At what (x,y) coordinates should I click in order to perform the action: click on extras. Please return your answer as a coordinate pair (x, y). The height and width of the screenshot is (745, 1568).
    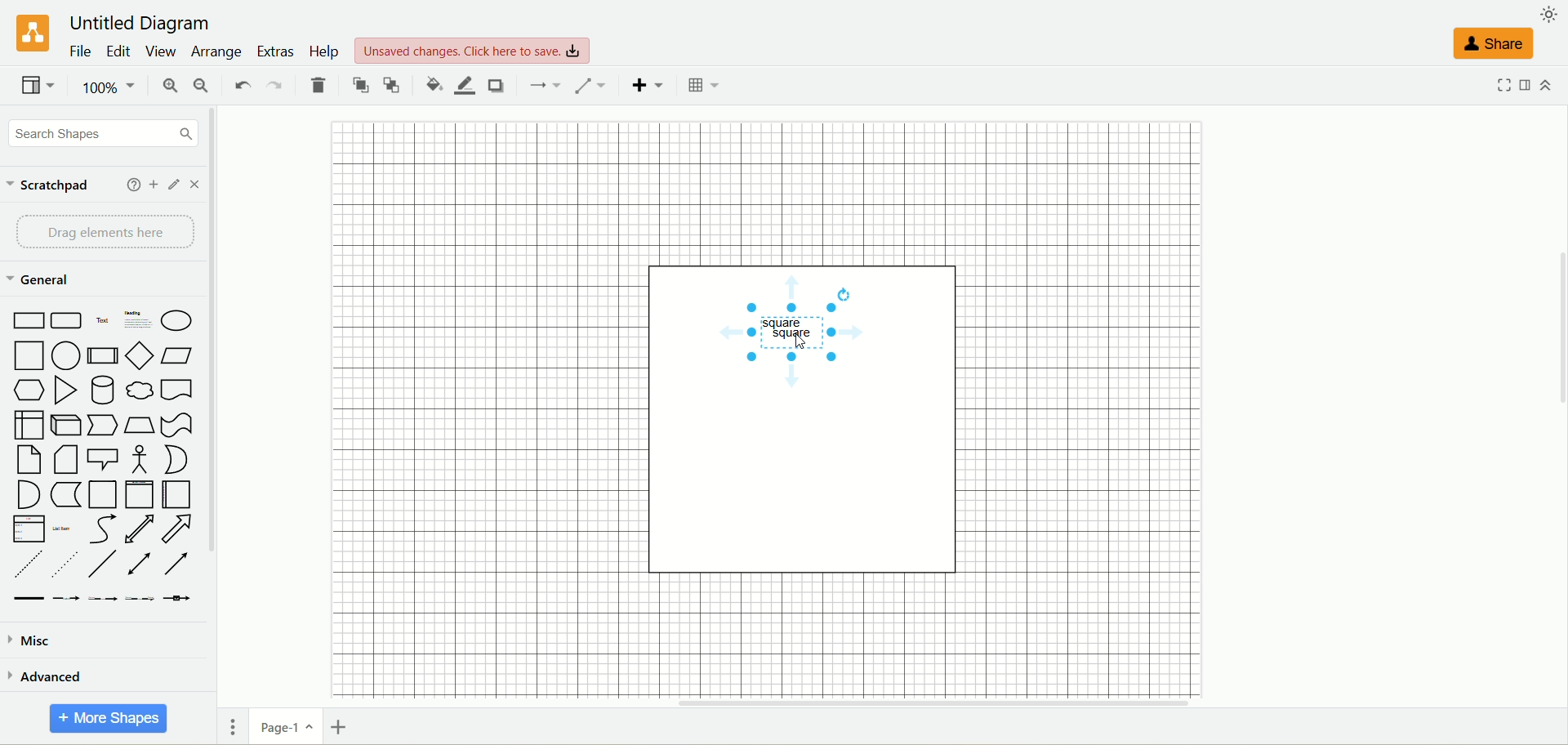
    Looking at the image, I should click on (276, 52).